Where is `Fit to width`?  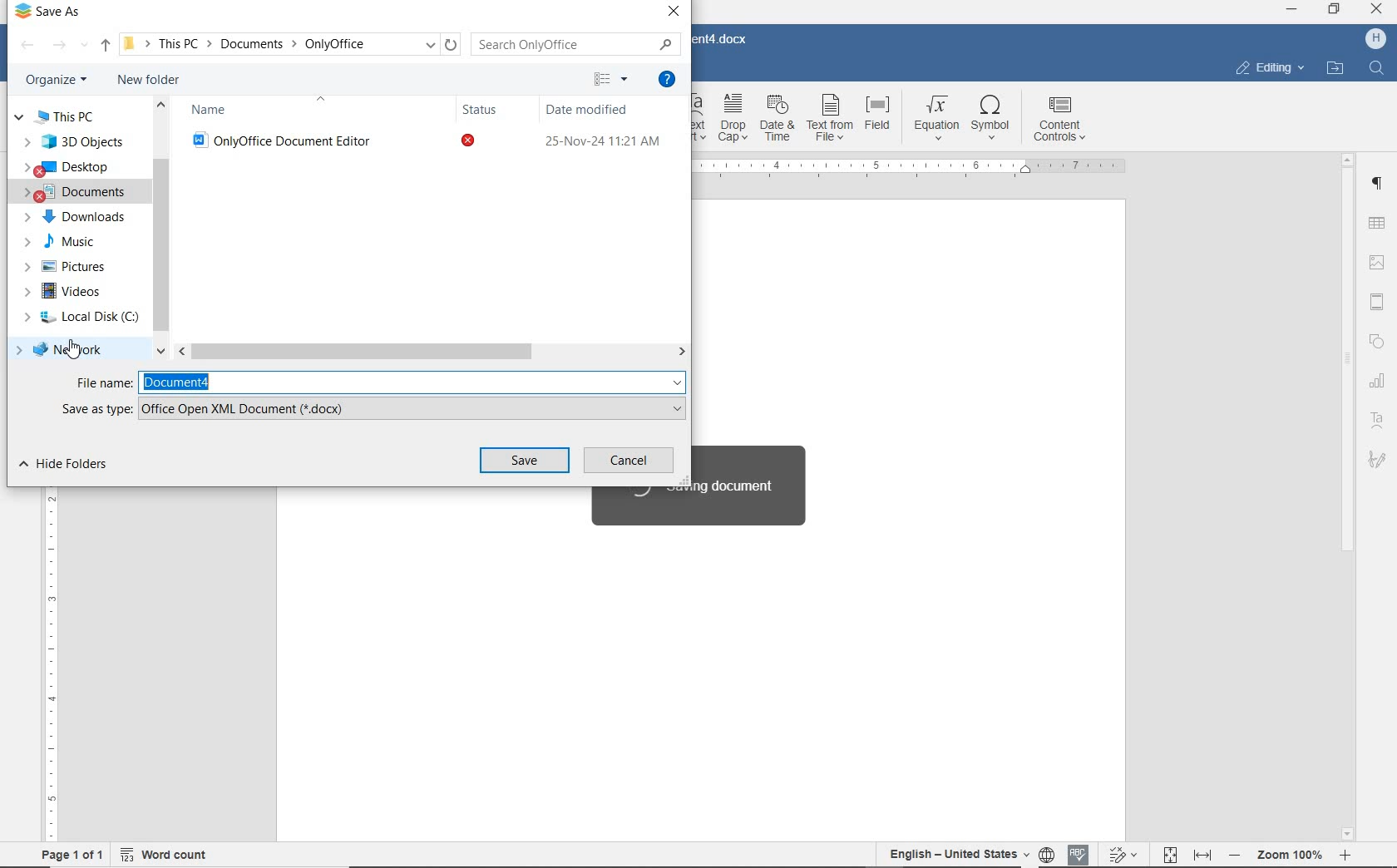 Fit to width is located at coordinates (1202, 855).